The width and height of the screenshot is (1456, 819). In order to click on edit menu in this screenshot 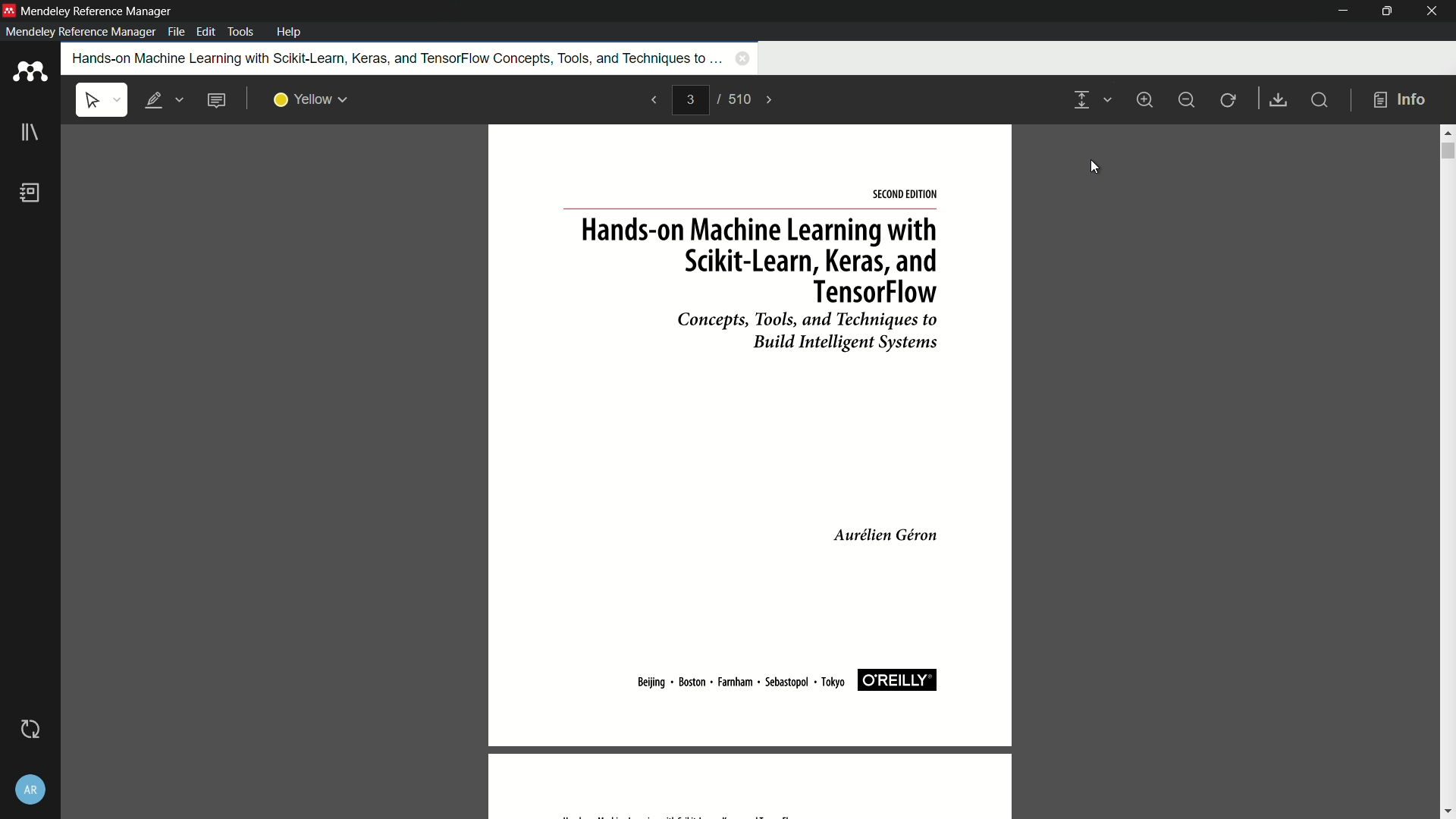, I will do `click(206, 32)`.